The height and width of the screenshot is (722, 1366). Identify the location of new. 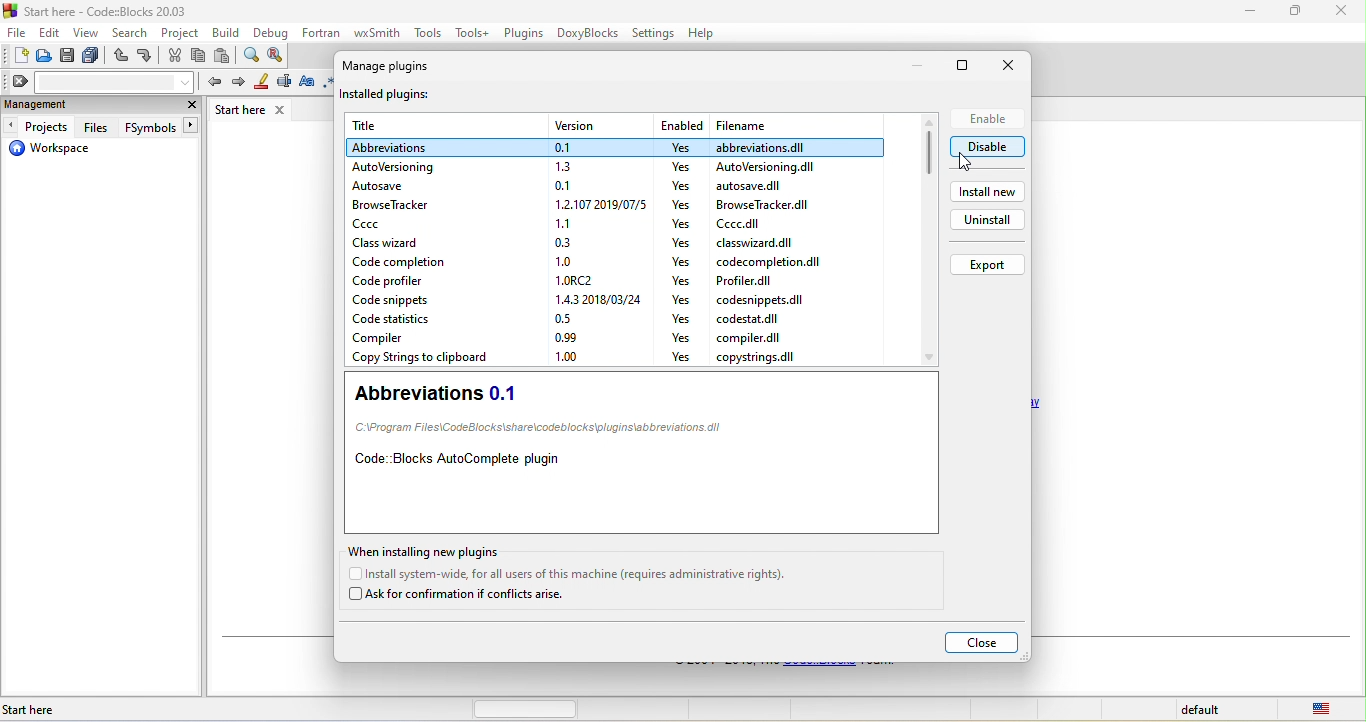
(16, 55).